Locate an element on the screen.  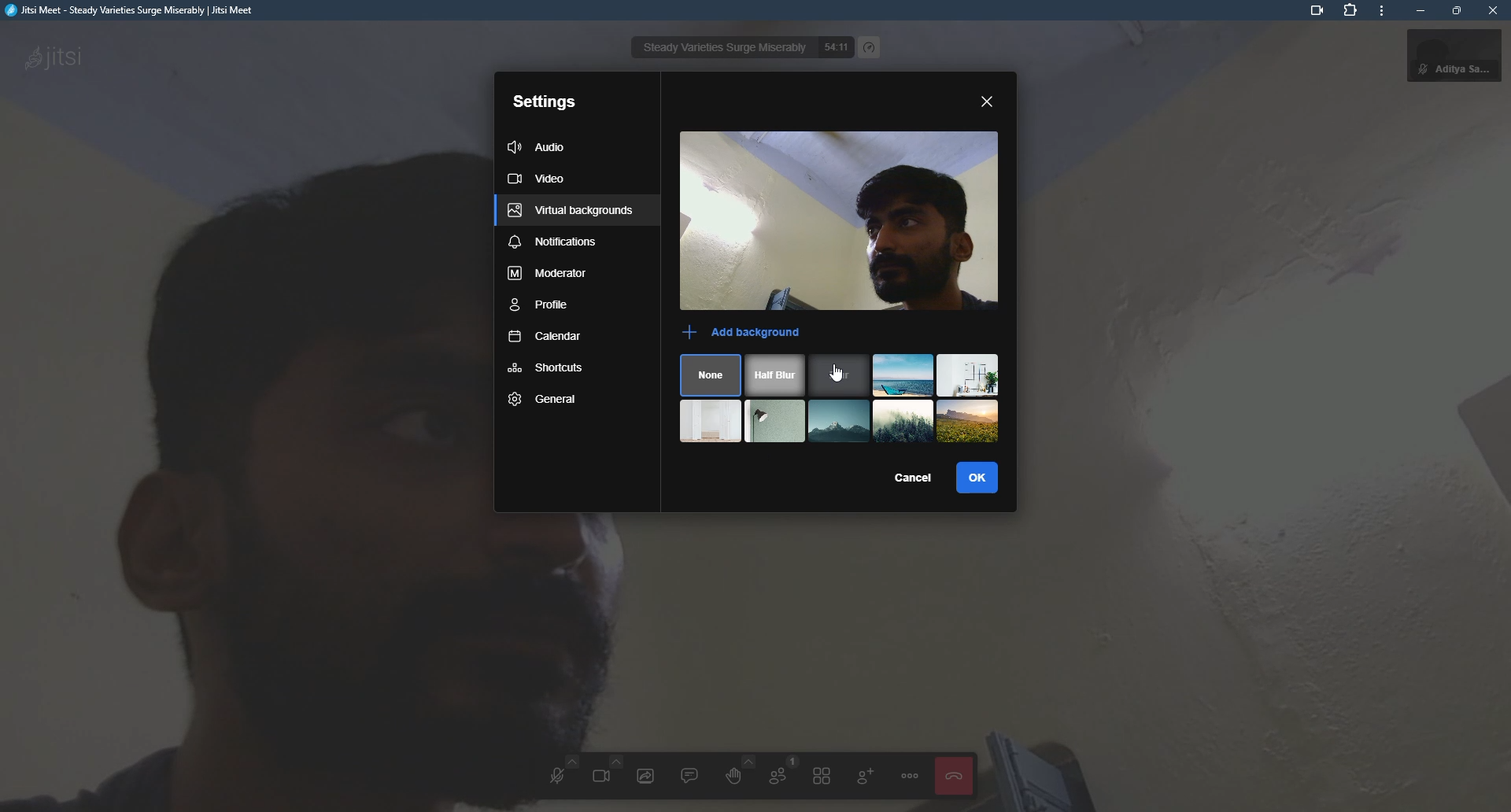
performance setting is located at coordinates (870, 48).